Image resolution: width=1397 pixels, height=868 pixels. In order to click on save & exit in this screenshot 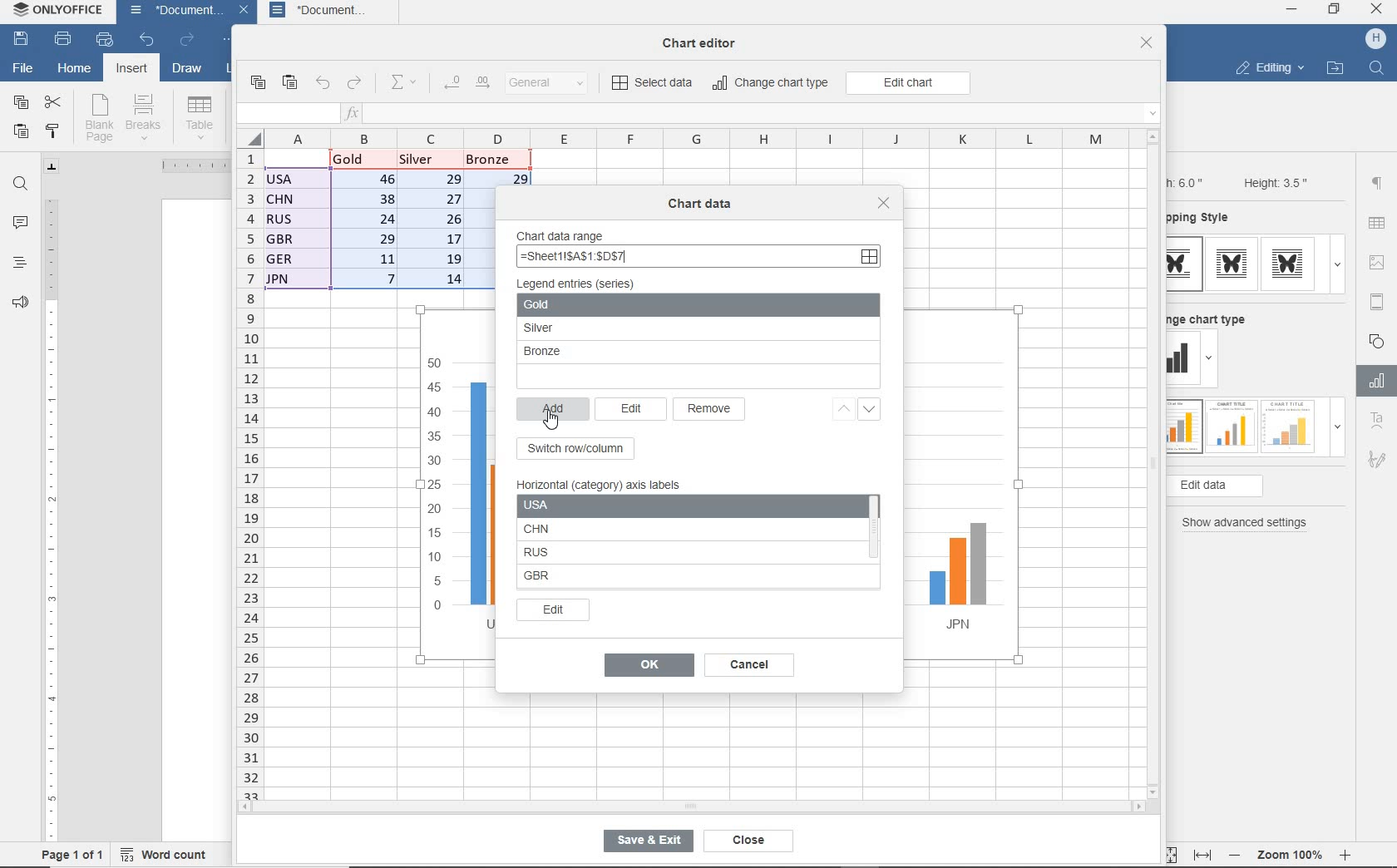, I will do `click(648, 842)`.